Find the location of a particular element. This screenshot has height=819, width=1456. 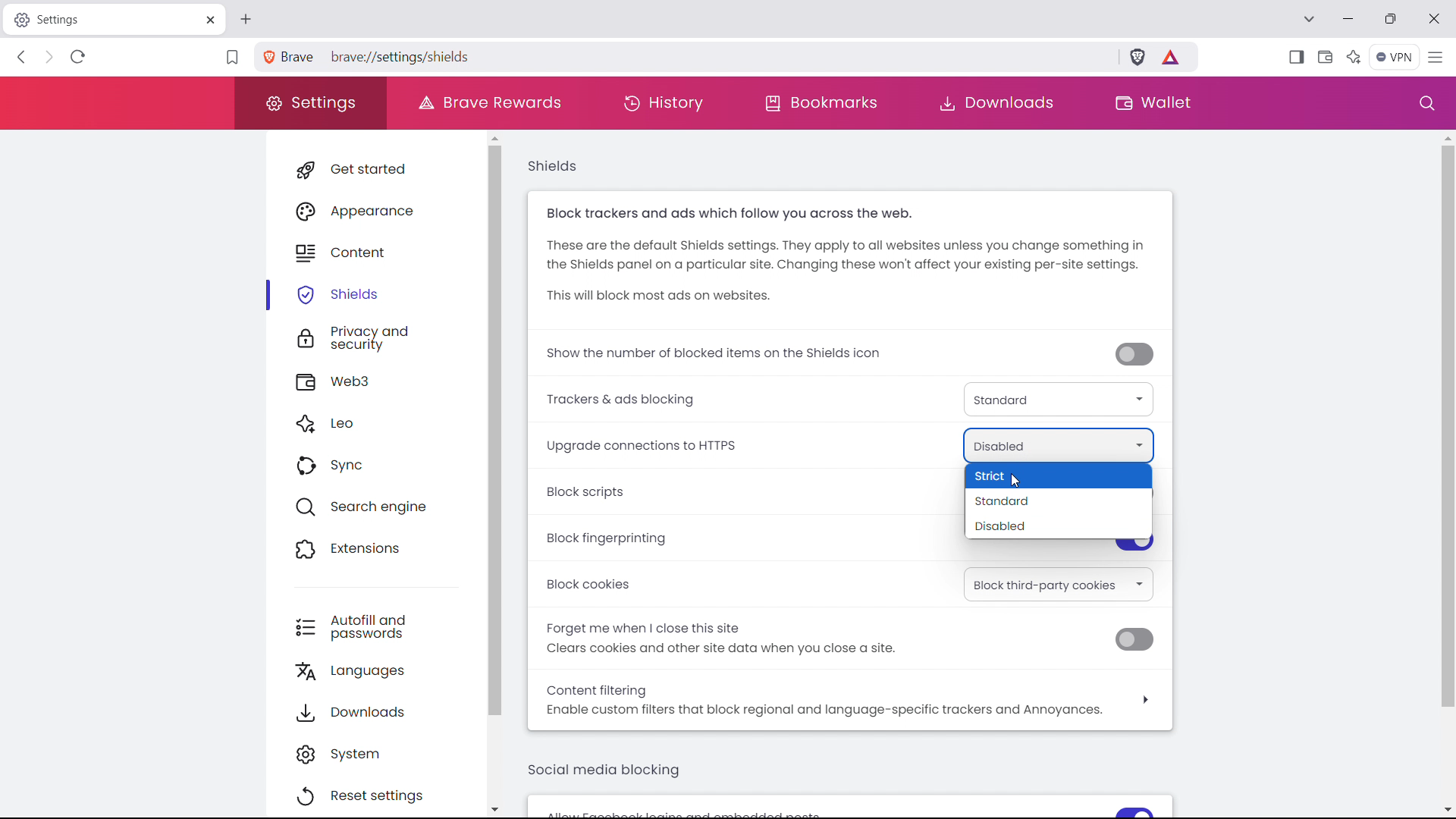

strict is located at coordinates (1057, 475).